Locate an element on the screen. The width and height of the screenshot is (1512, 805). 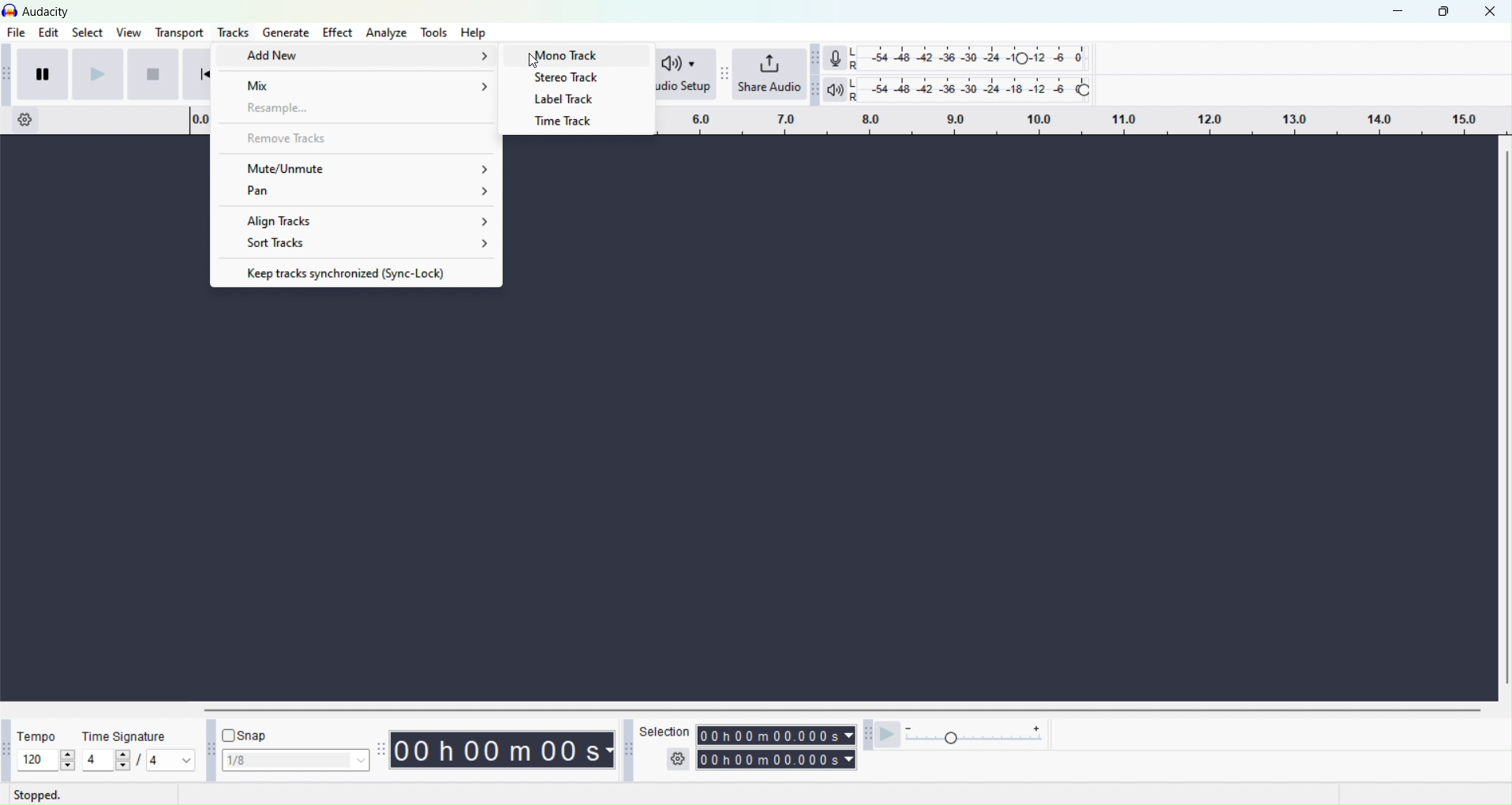
increase beat per measure is located at coordinates (121, 754).